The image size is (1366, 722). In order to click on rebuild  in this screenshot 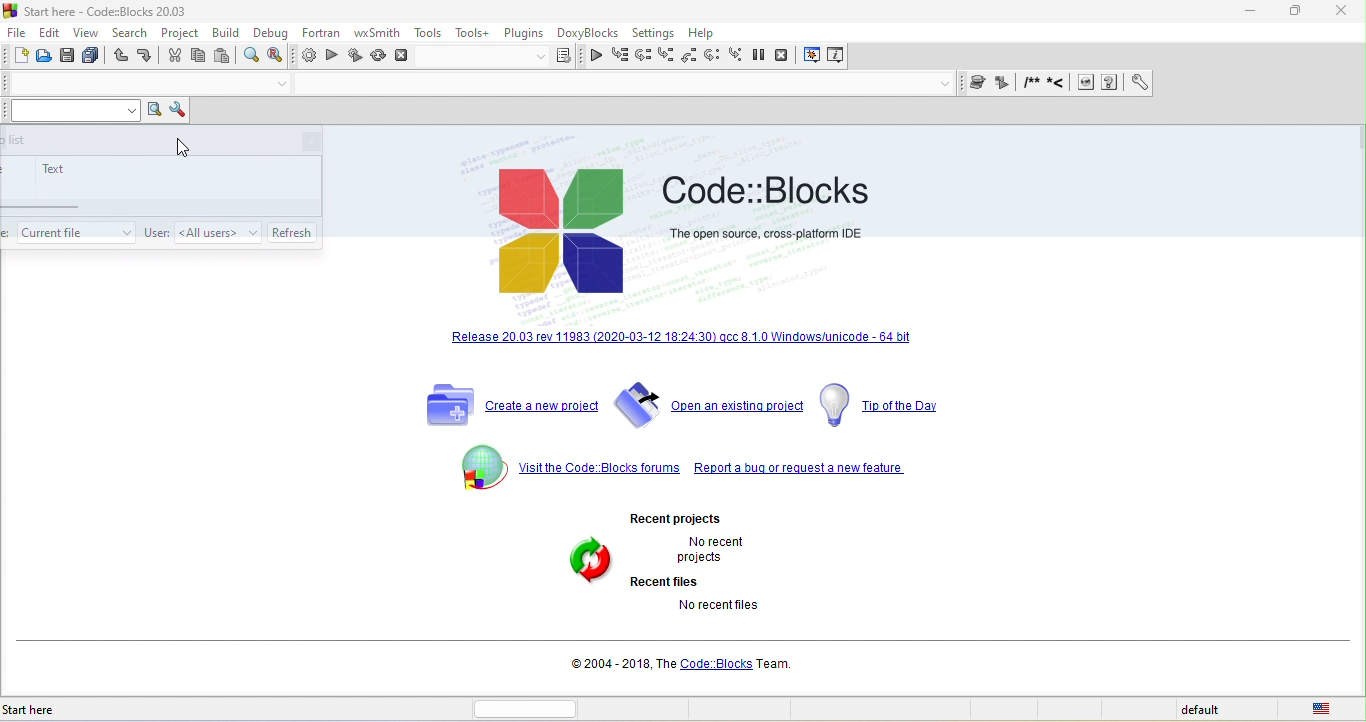, I will do `click(380, 57)`.